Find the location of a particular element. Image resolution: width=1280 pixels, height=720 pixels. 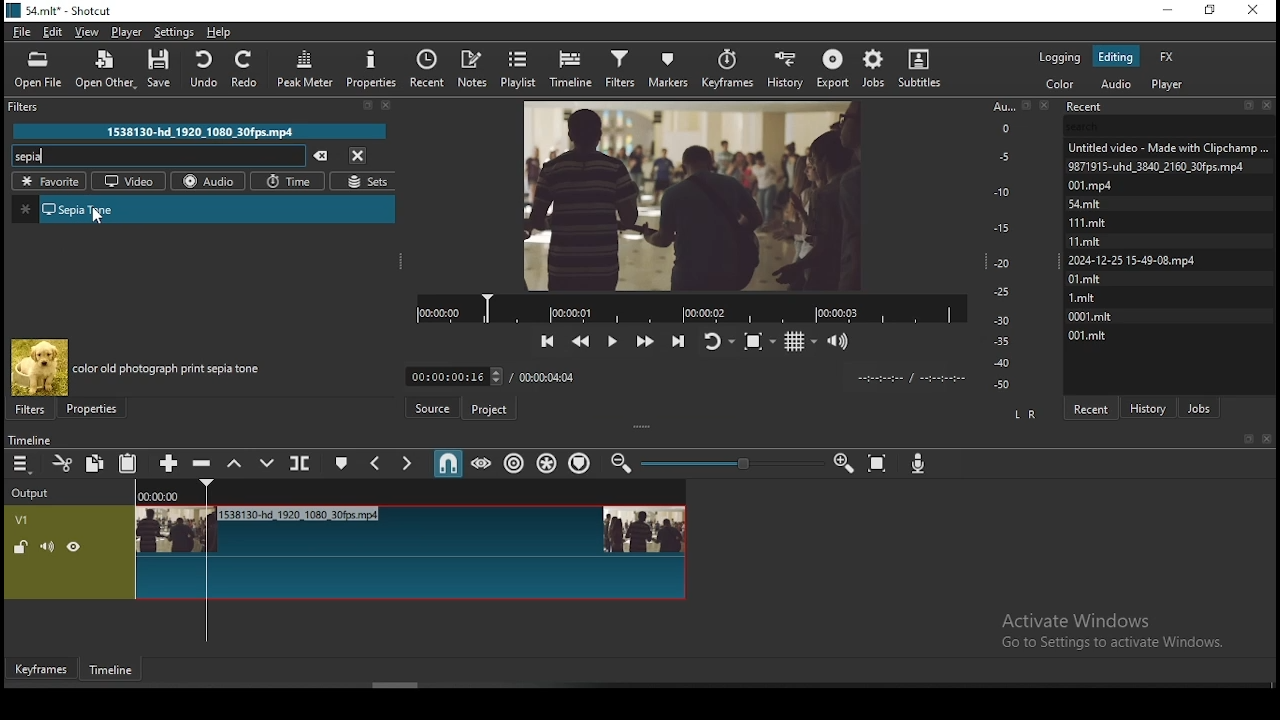

close is located at coordinates (1267, 440).